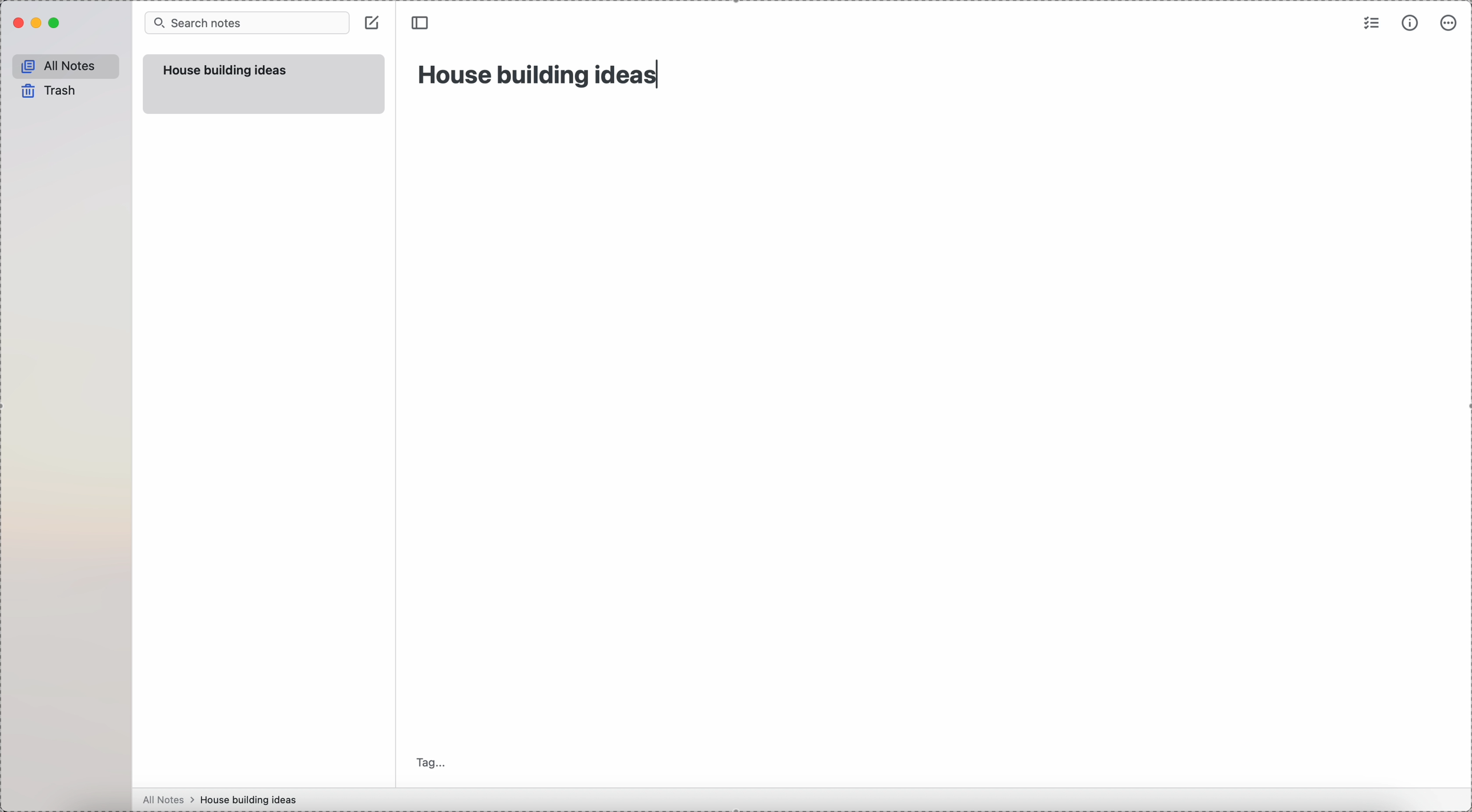  What do you see at coordinates (246, 23) in the screenshot?
I see `search bar` at bounding box center [246, 23].